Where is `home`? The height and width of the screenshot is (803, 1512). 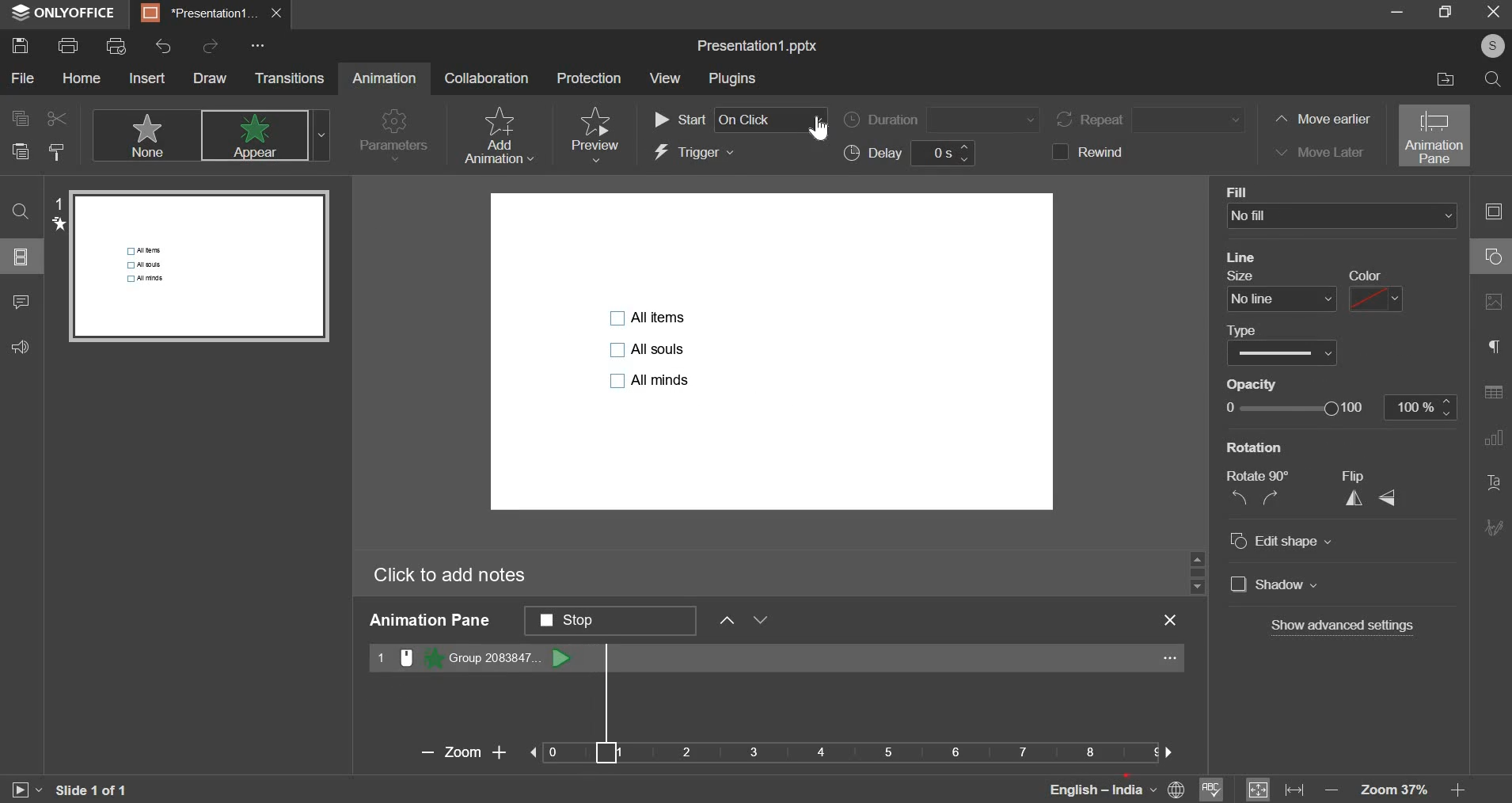
home is located at coordinates (82, 78).